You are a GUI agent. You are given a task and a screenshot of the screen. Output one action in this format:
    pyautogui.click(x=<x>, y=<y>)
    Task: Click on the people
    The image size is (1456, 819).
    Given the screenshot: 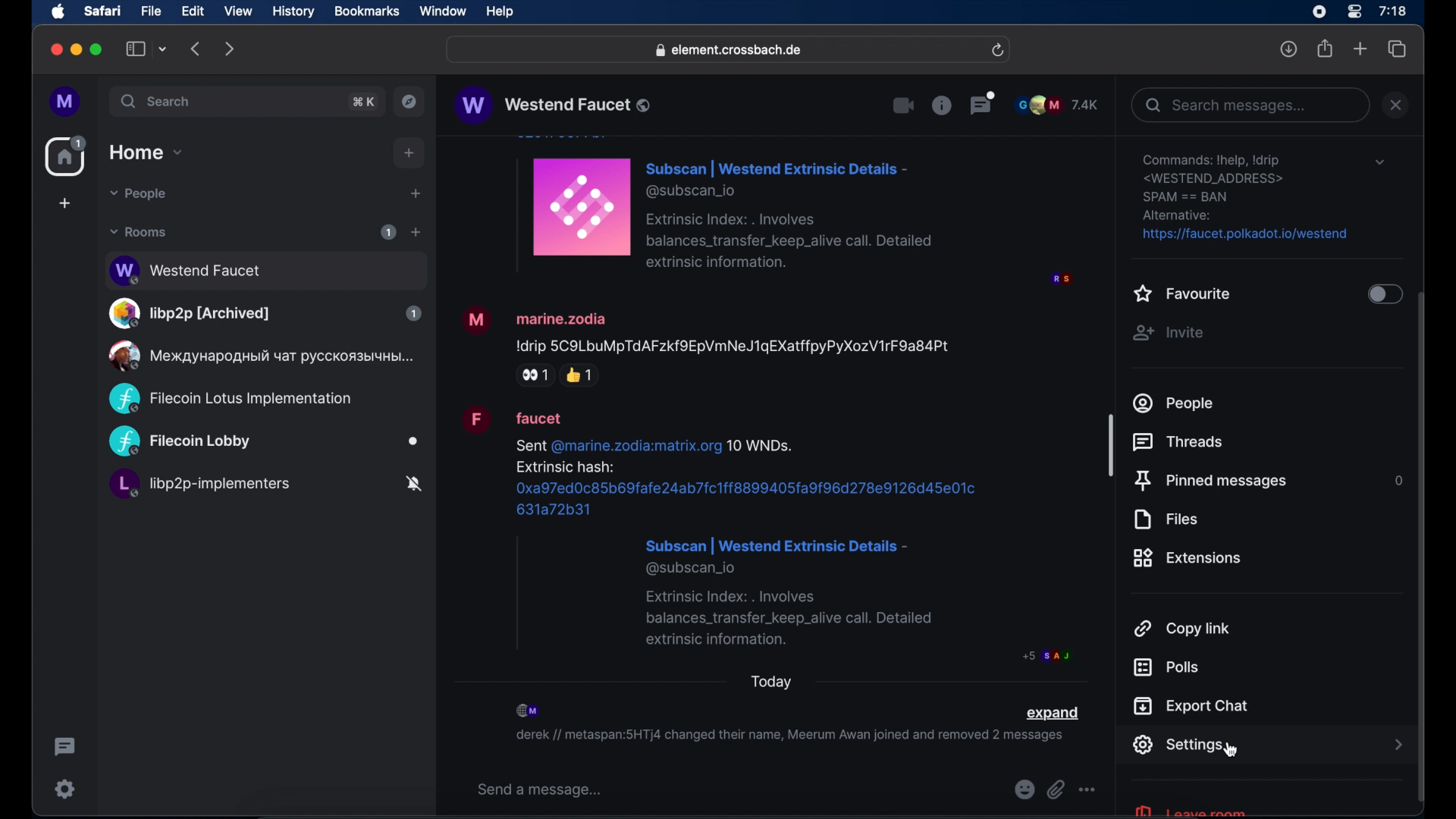 What is the action you would take?
    pyautogui.click(x=1175, y=403)
    